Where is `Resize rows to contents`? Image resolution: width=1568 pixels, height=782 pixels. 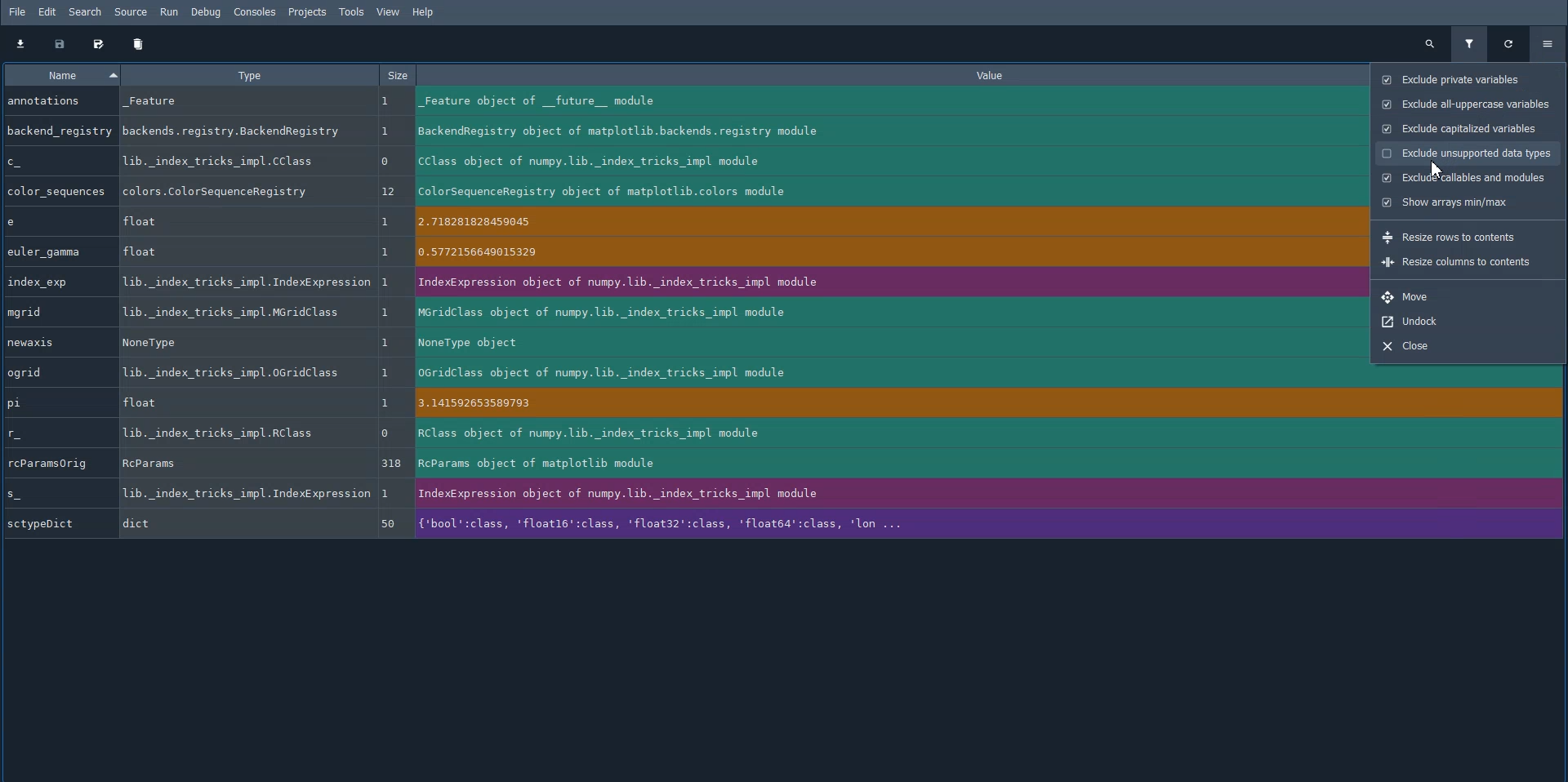 Resize rows to contents is located at coordinates (1449, 237).